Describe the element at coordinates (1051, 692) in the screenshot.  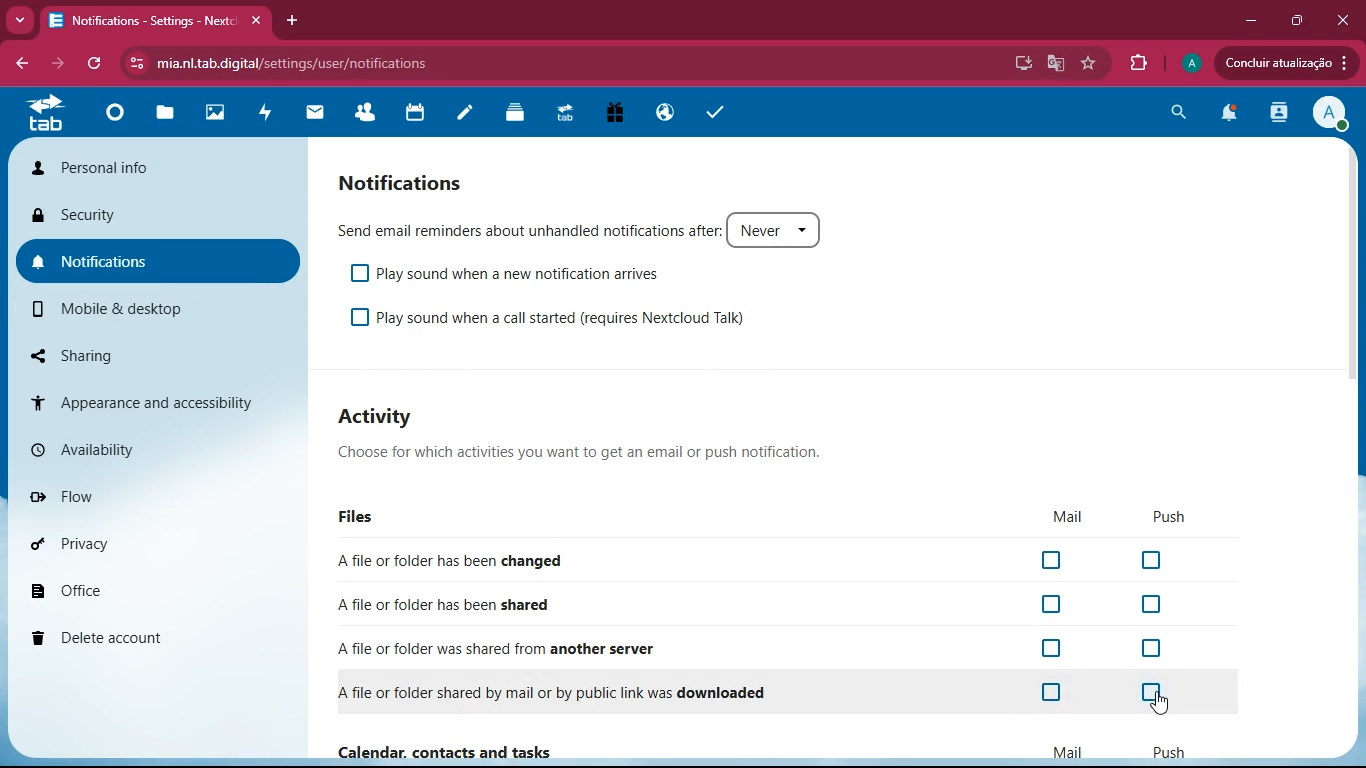
I see `off` at that location.